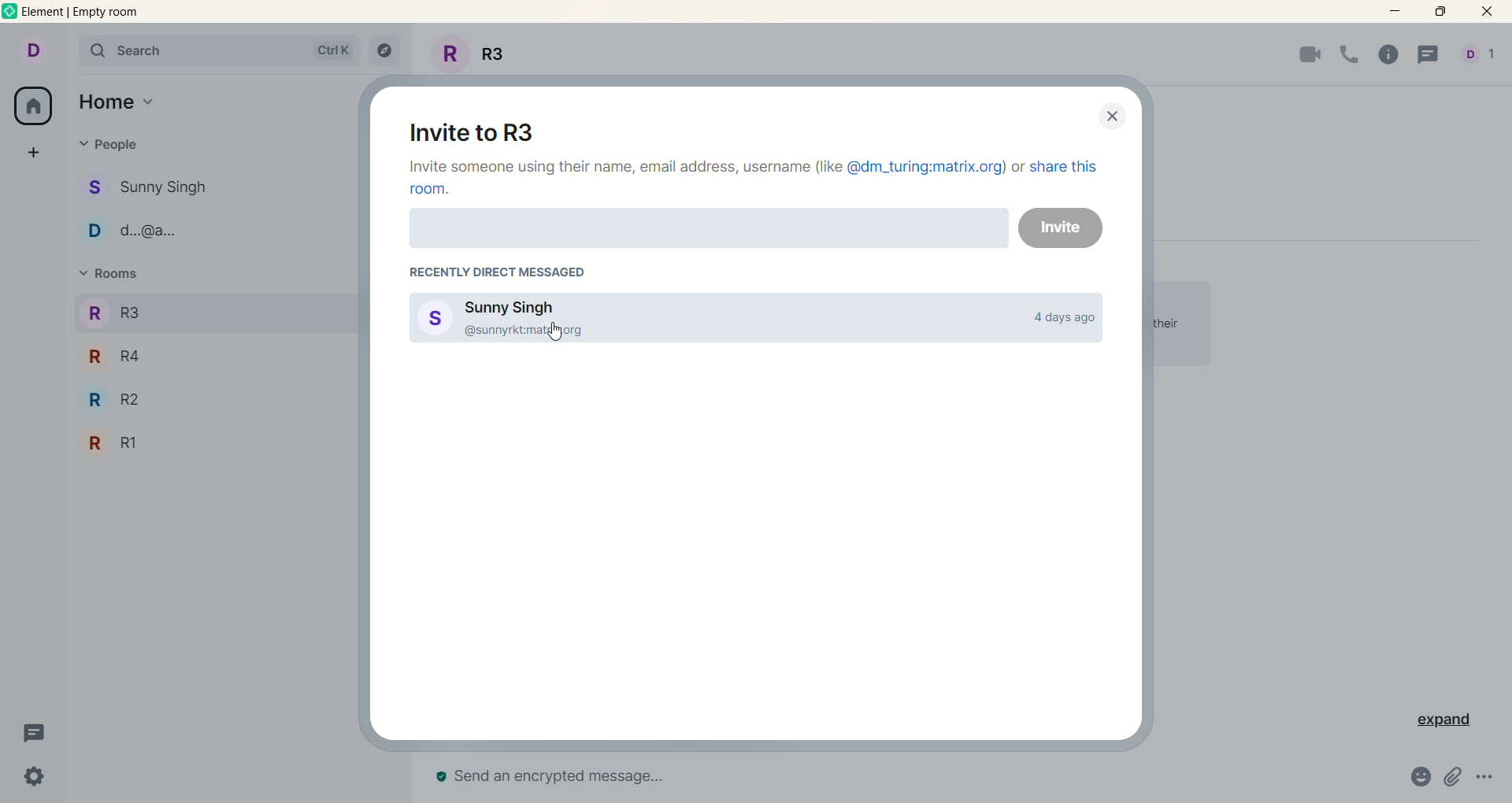 This screenshot has width=1512, height=803. Describe the element at coordinates (1432, 54) in the screenshot. I see `threads` at that location.